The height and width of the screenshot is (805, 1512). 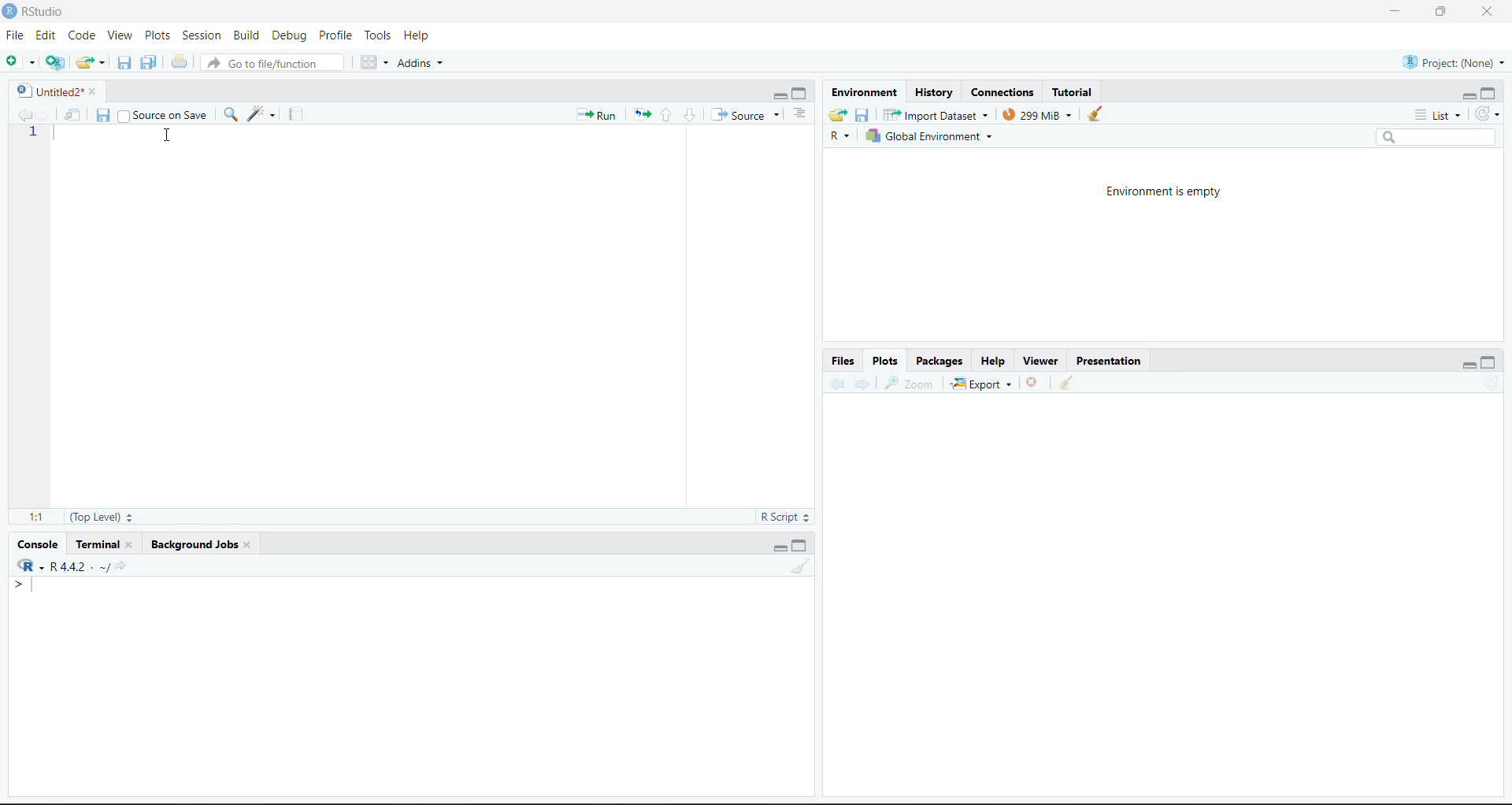 I want to click on go to next section/chunk, so click(x=691, y=116).